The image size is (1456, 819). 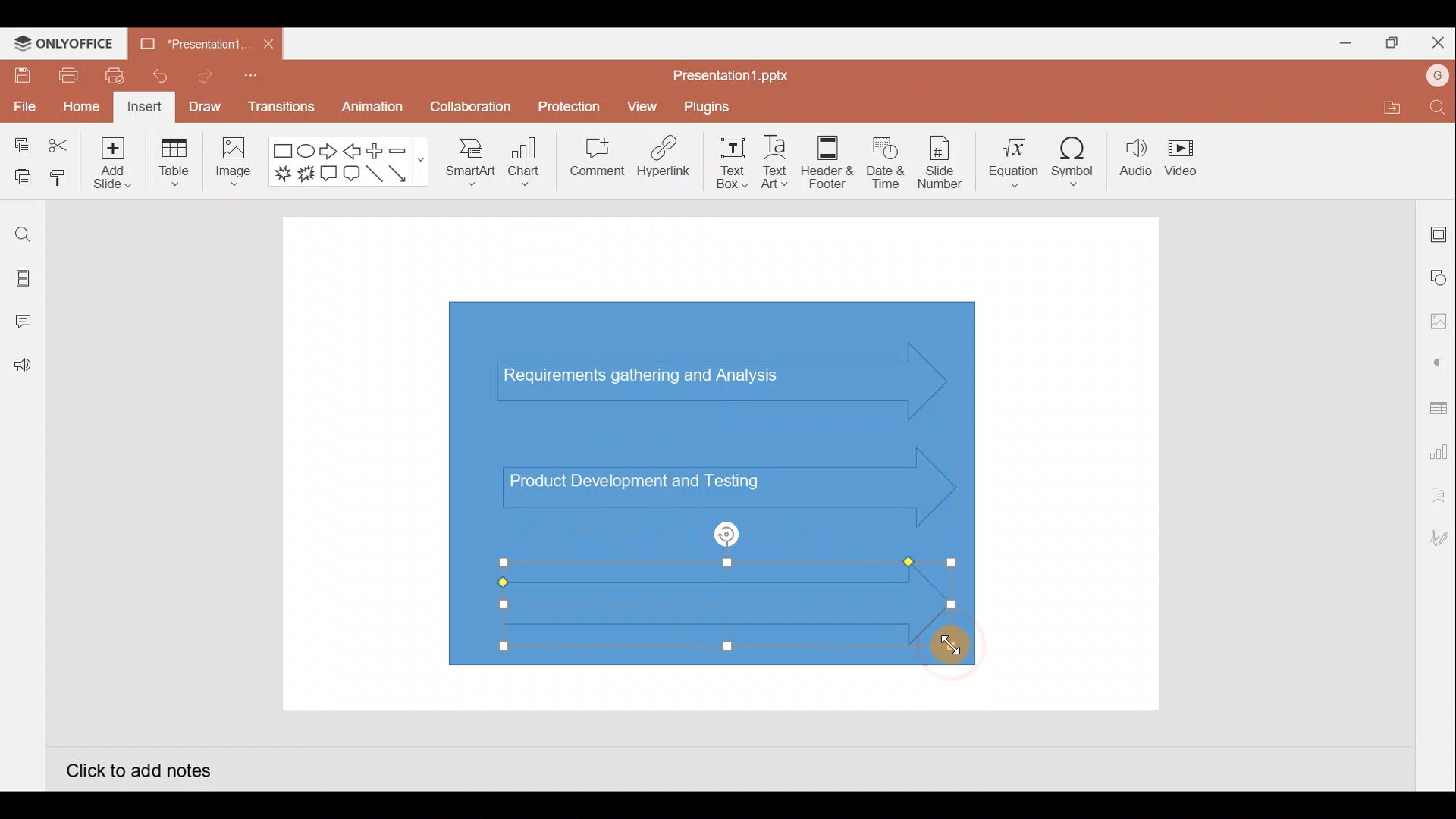 I want to click on Right arrow, so click(x=328, y=152).